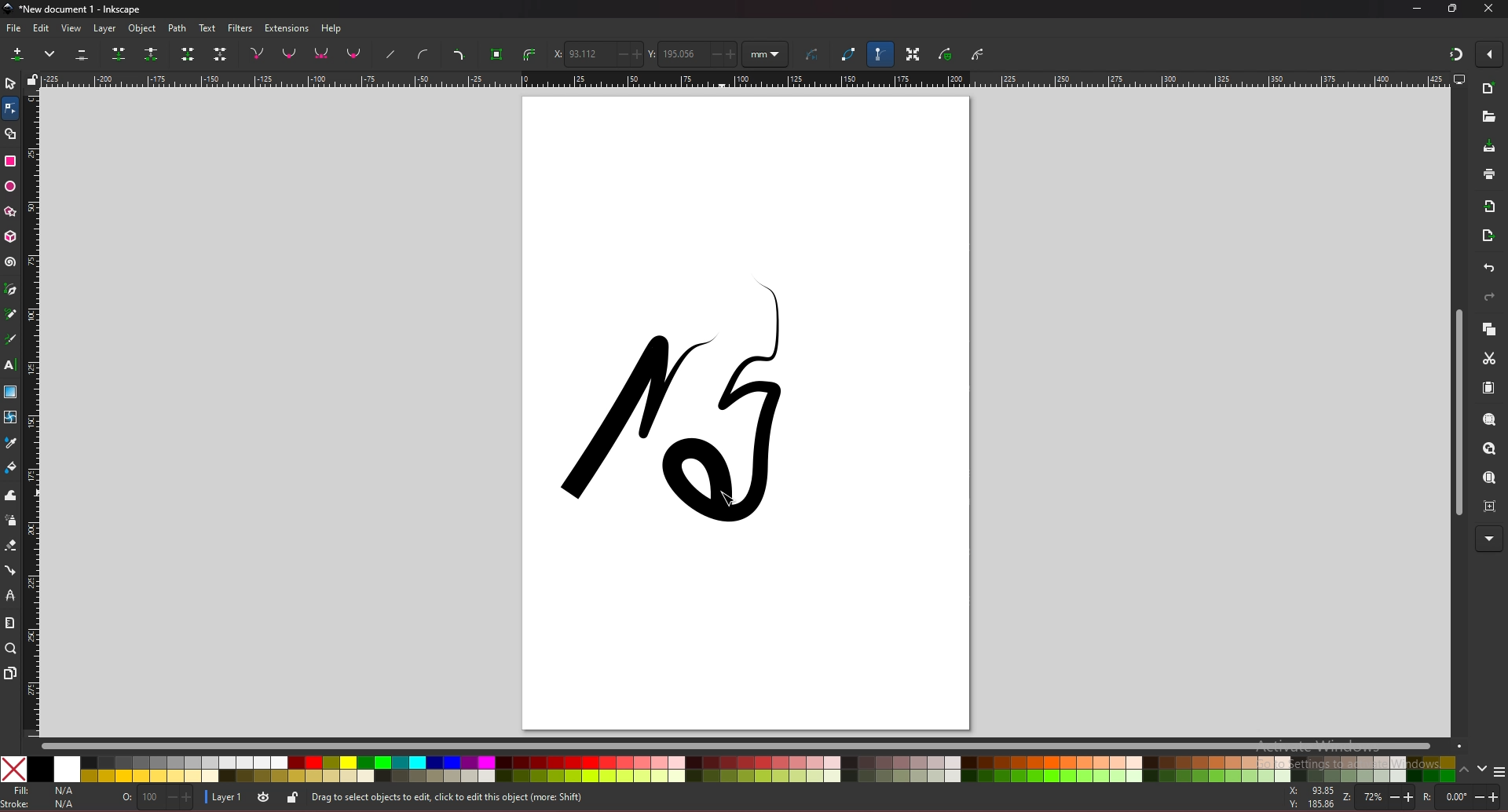  Describe the element at coordinates (978, 56) in the screenshot. I see `show clipping path` at that location.